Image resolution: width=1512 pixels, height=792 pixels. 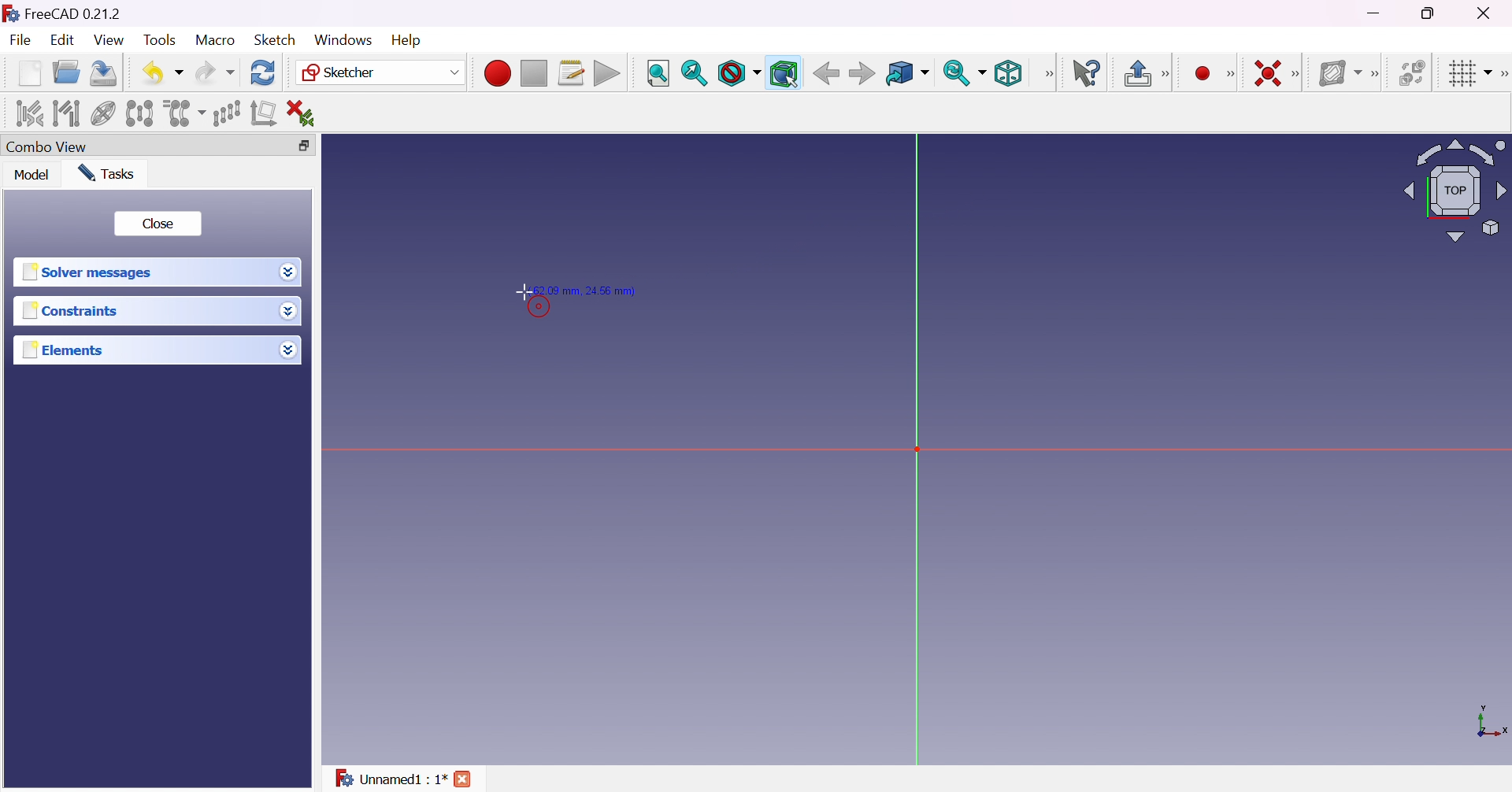 What do you see at coordinates (378, 72) in the screenshot?
I see `Sketcher` at bounding box center [378, 72].